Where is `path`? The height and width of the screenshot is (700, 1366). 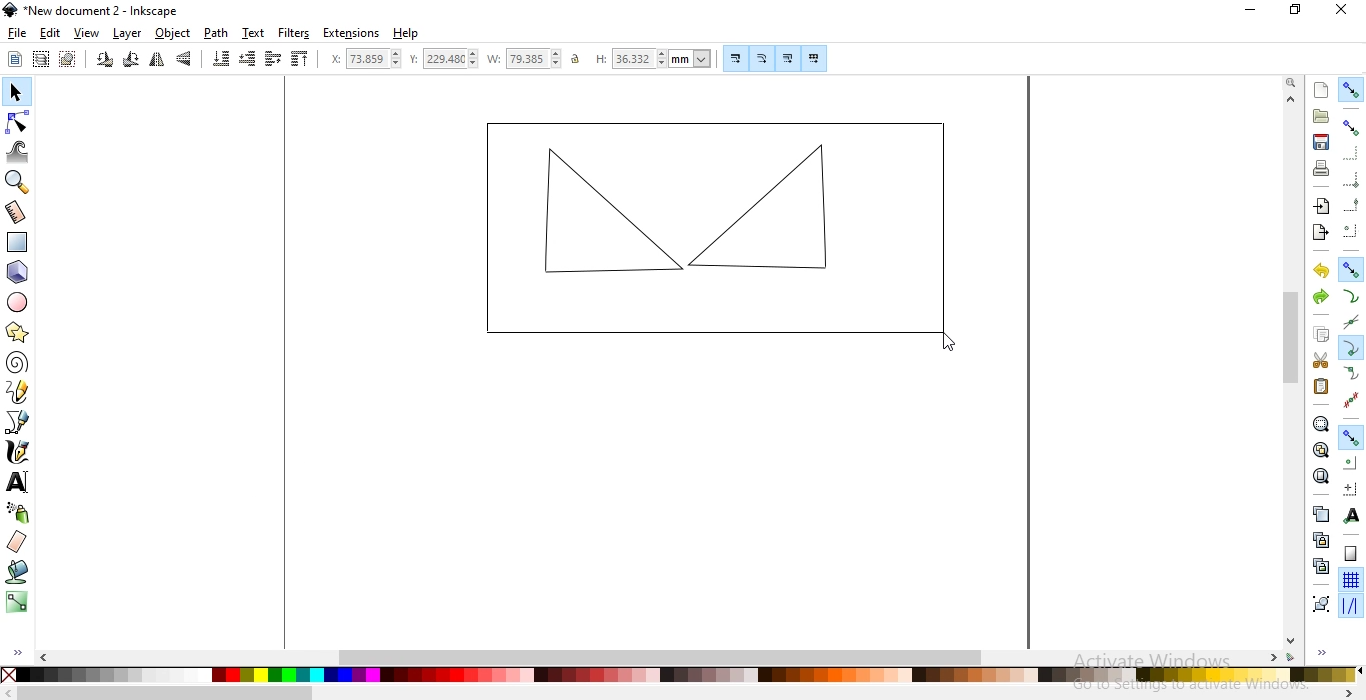 path is located at coordinates (215, 34).